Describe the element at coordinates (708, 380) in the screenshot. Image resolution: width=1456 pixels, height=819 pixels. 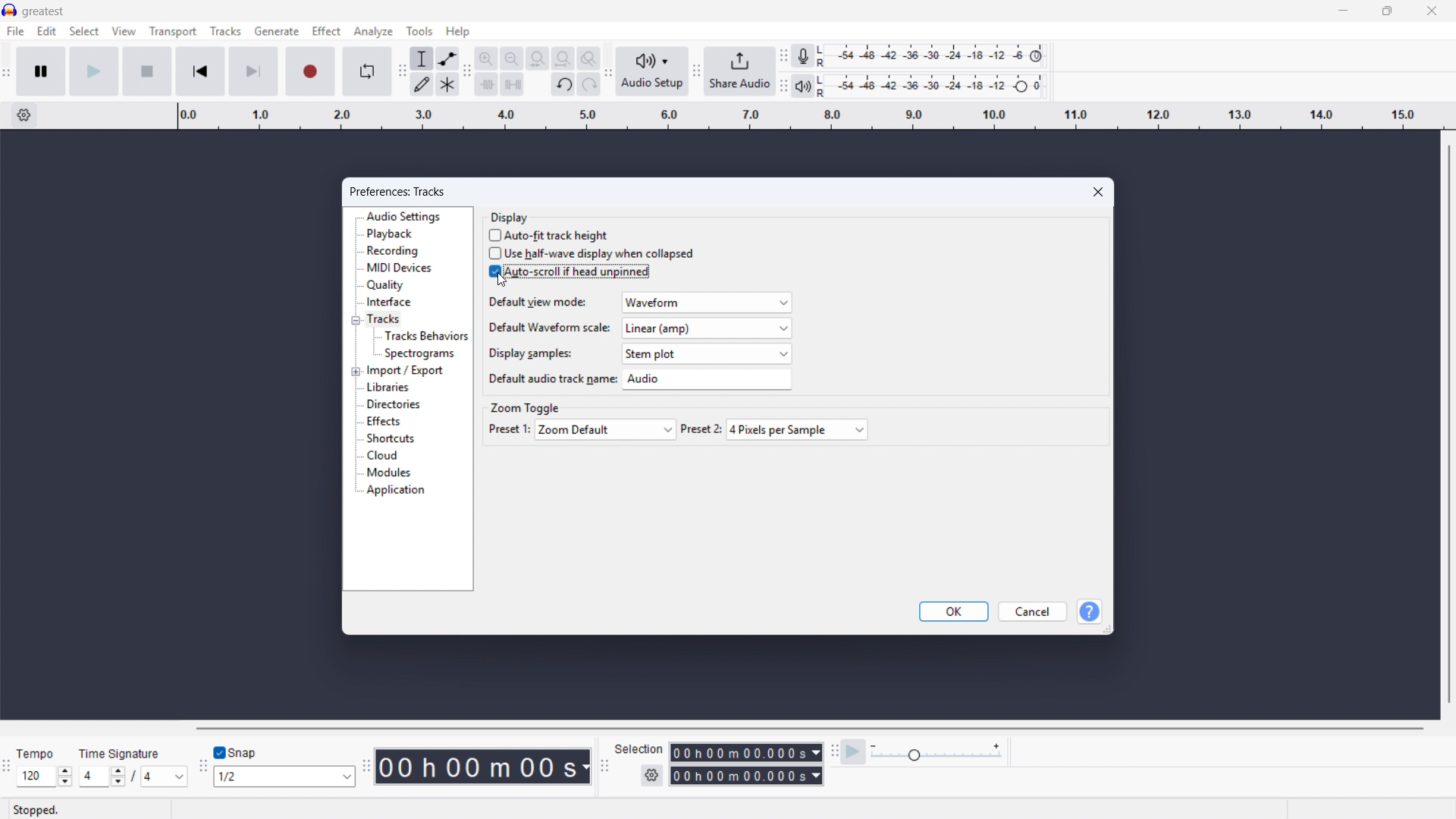
I see `Default audio track name ` at that location.